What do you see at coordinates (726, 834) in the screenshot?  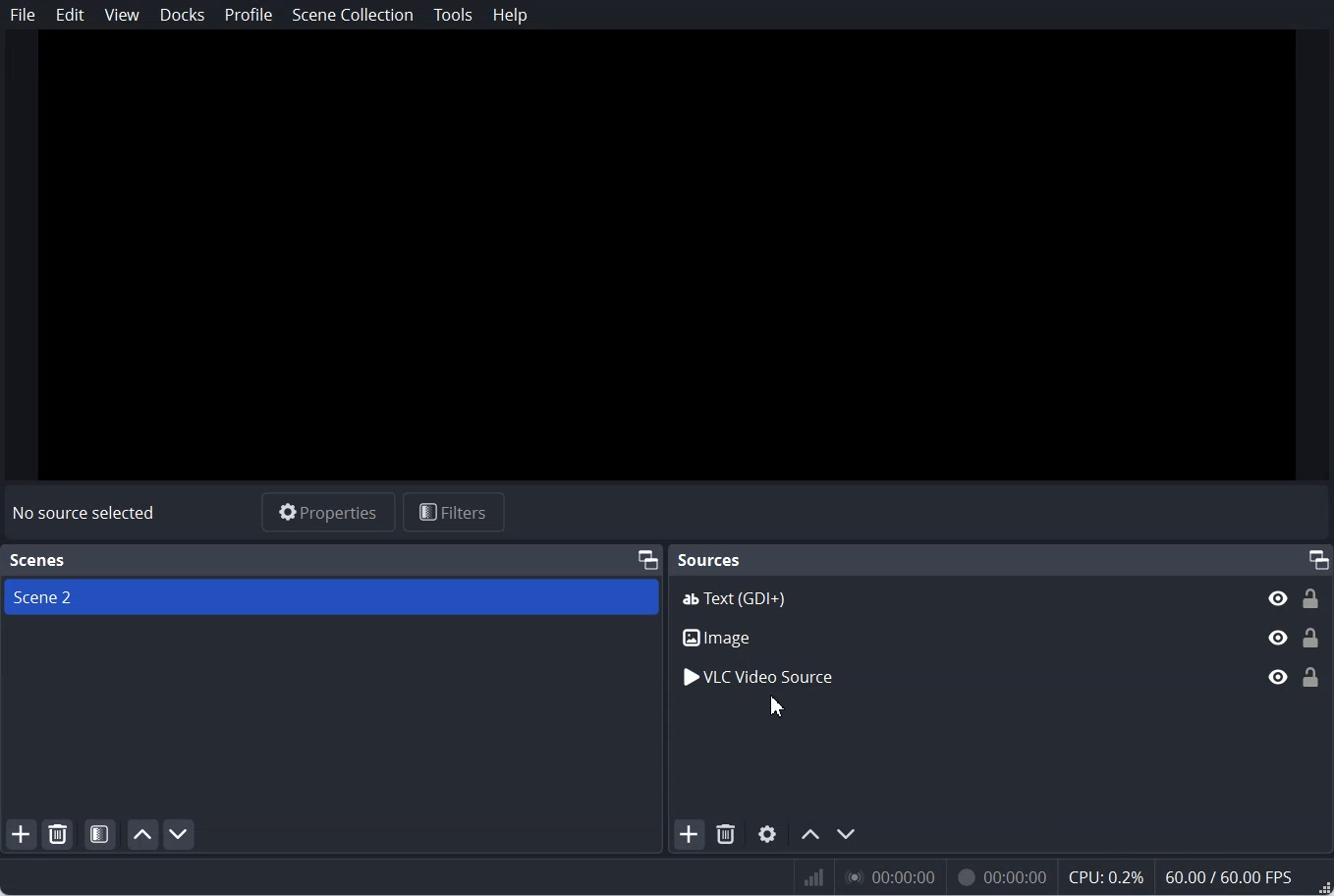 I see `Remove selected Source` at bounding box center [726, 834].